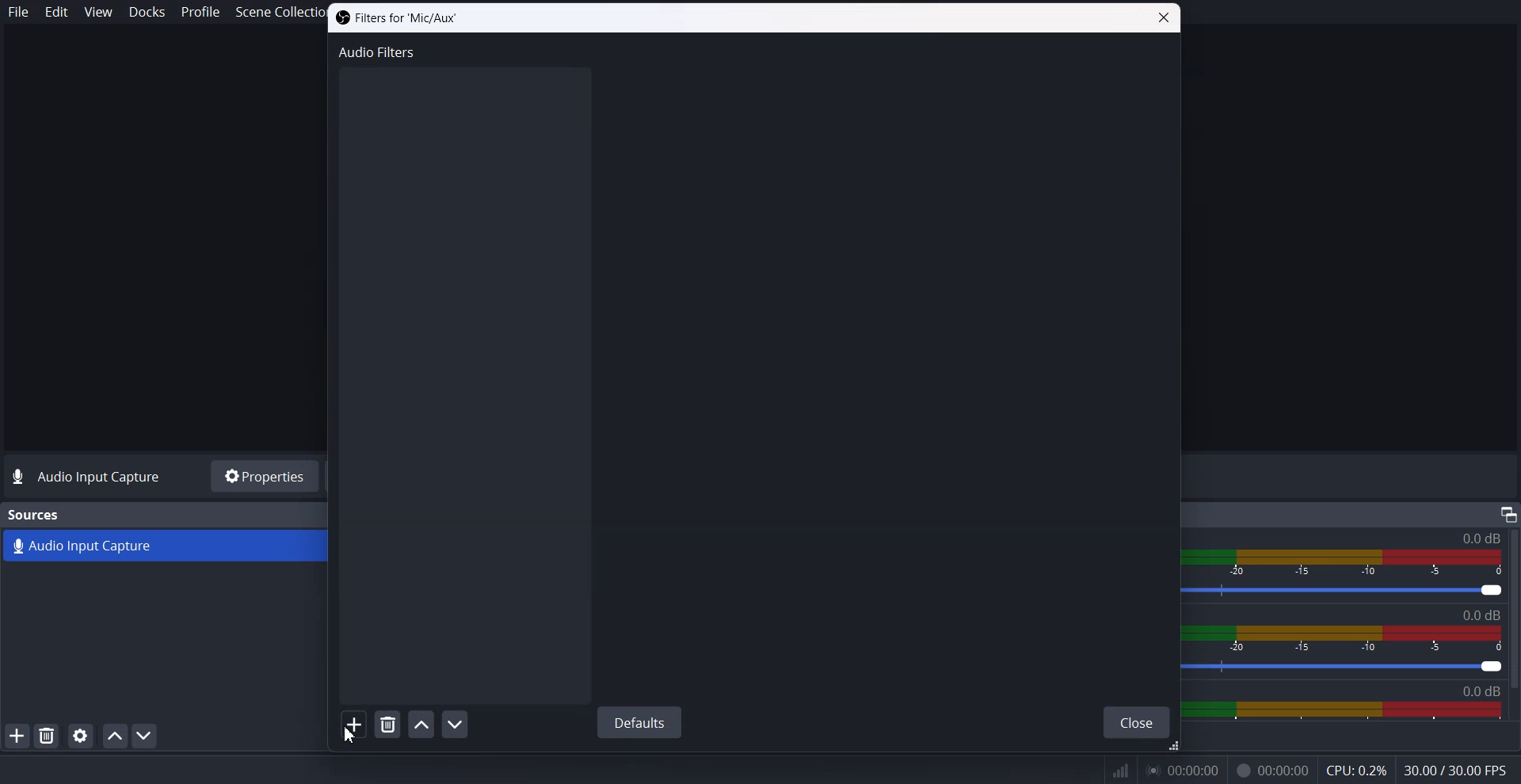 This screenshot has height=784, width=1521. I want to click on Move source up, so click(115, 736).